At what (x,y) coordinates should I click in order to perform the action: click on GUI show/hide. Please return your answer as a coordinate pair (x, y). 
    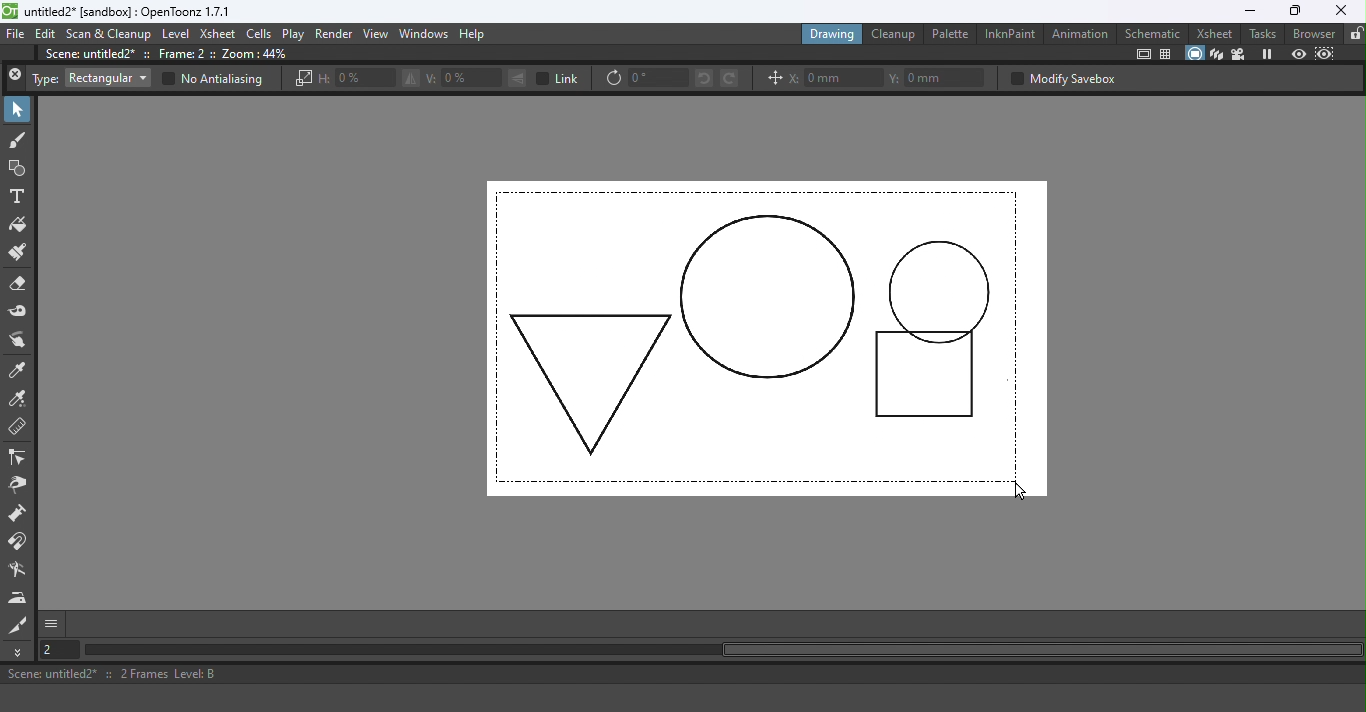
    Looking at the image, I should click on (53, 624).